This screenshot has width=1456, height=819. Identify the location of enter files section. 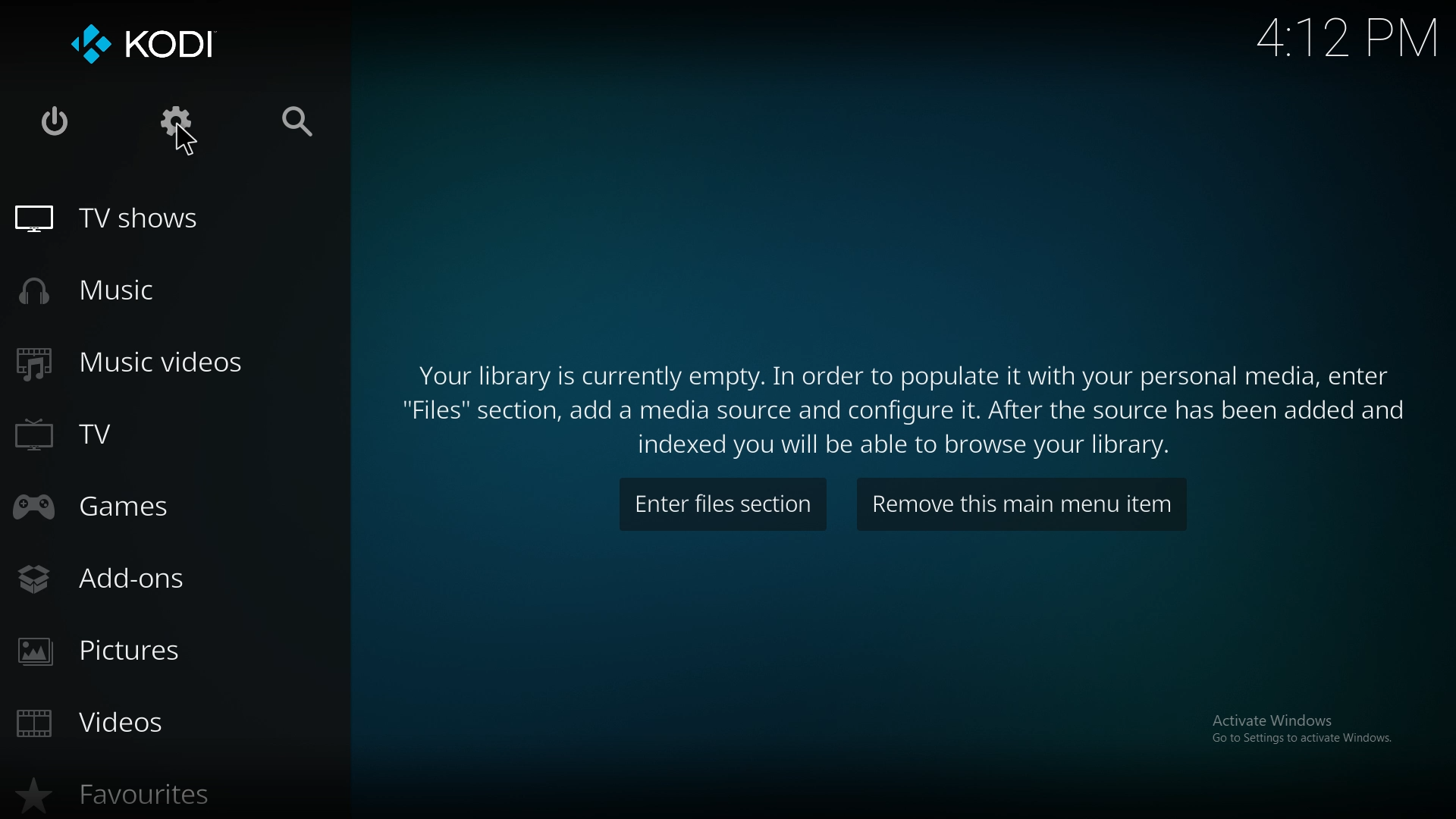
(720, 504).